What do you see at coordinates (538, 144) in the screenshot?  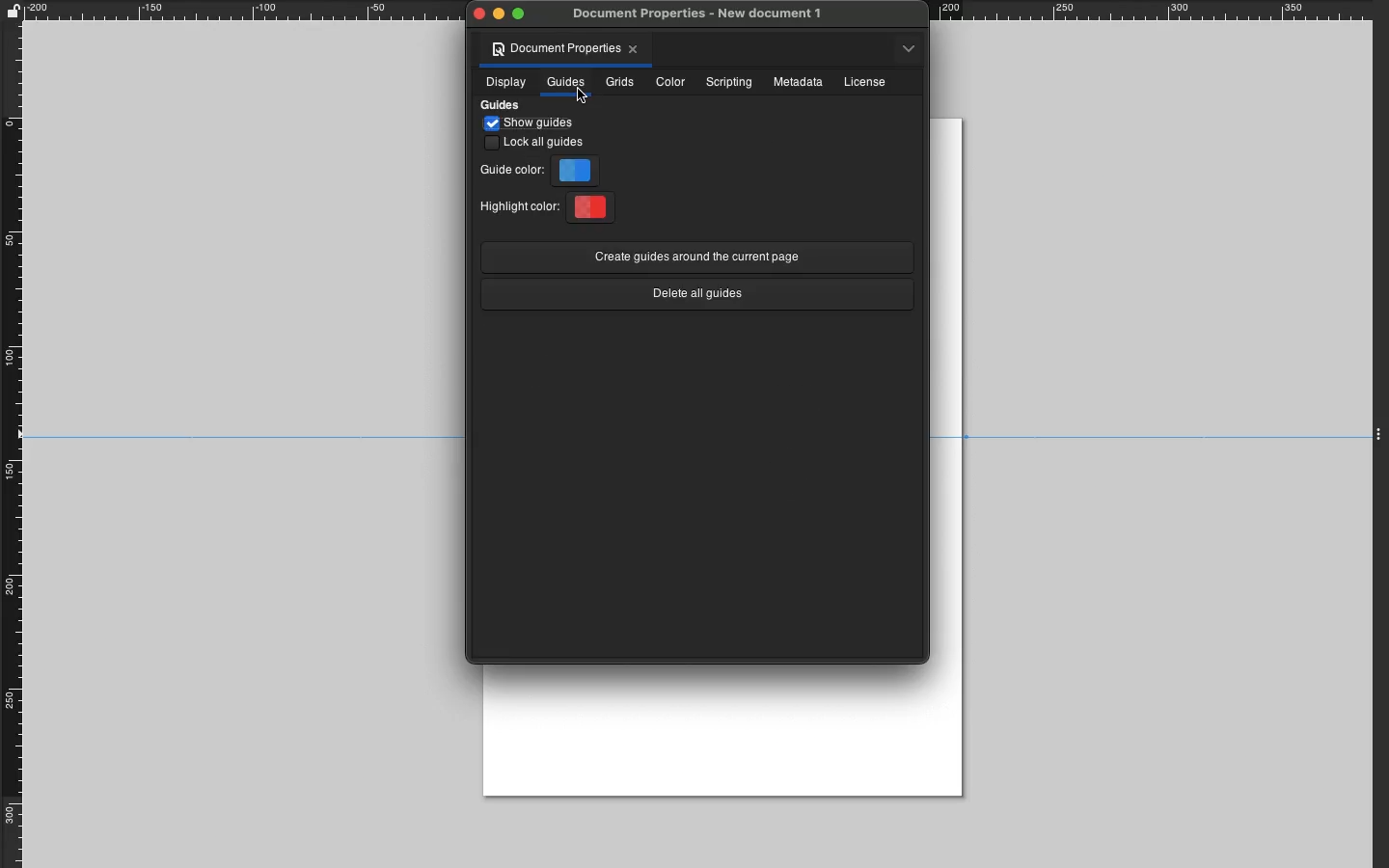 I see `Local guides` at bounding box center [538, 144].